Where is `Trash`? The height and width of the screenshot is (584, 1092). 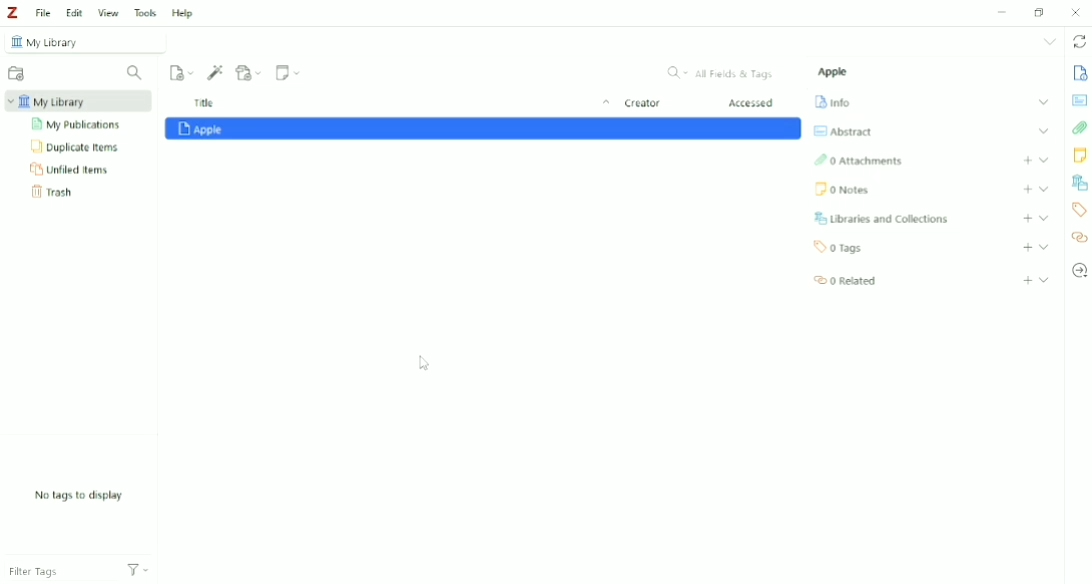
Trash is located at coordinates (55, 193).